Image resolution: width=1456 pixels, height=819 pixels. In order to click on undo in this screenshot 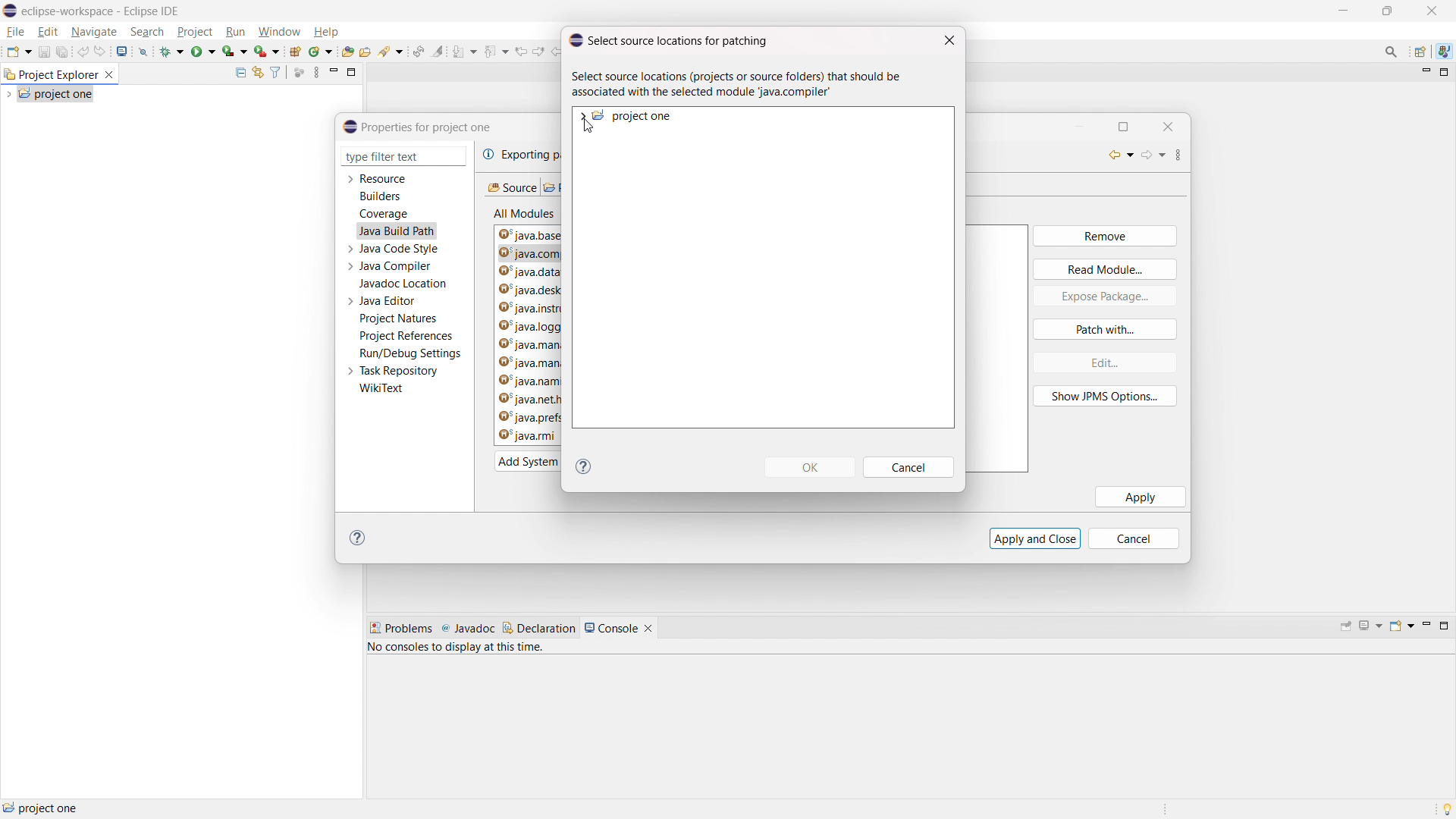, I will do `click(83, 51)`.